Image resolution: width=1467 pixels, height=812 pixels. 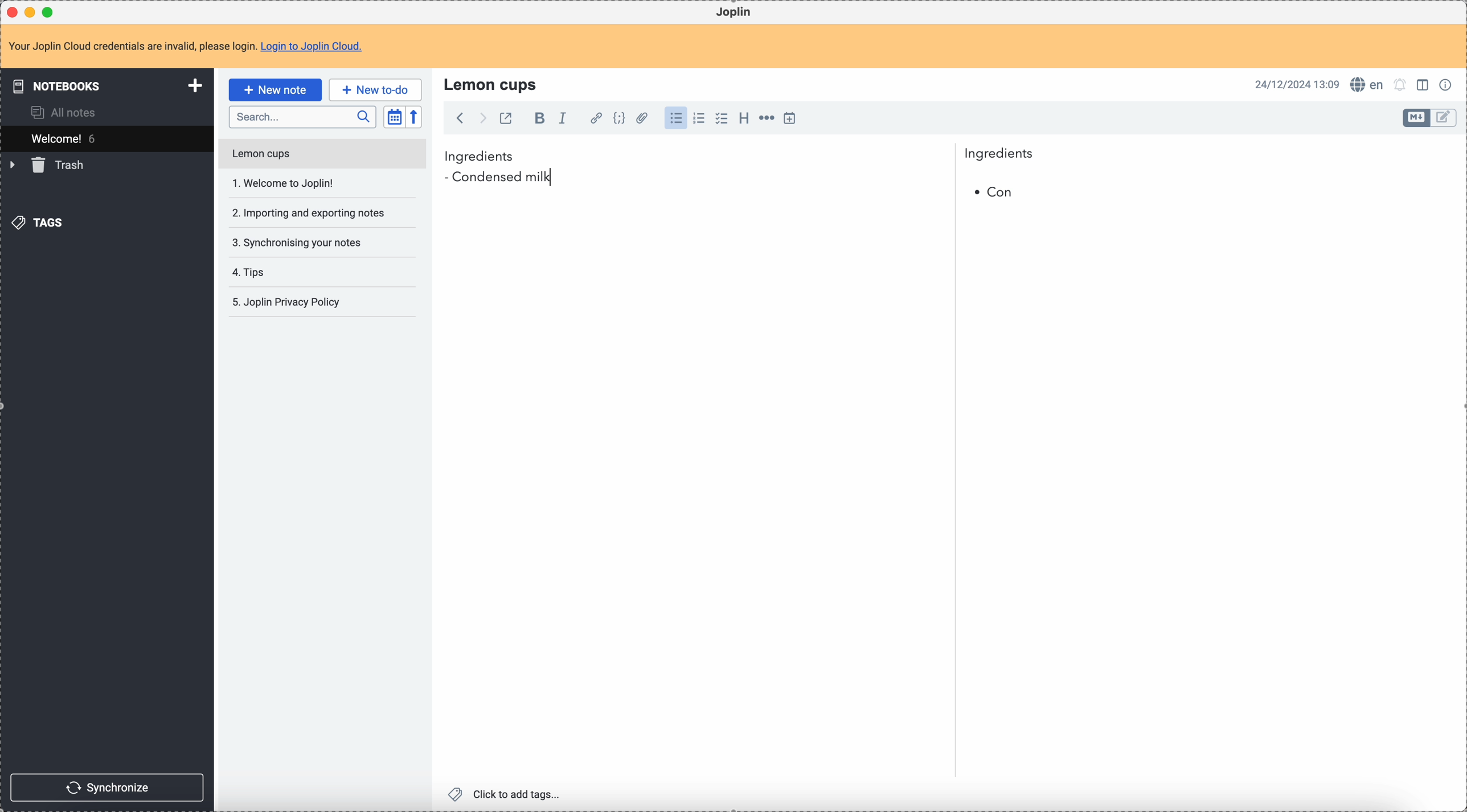 I want to click on click on new note, so click(x=274, y=89).